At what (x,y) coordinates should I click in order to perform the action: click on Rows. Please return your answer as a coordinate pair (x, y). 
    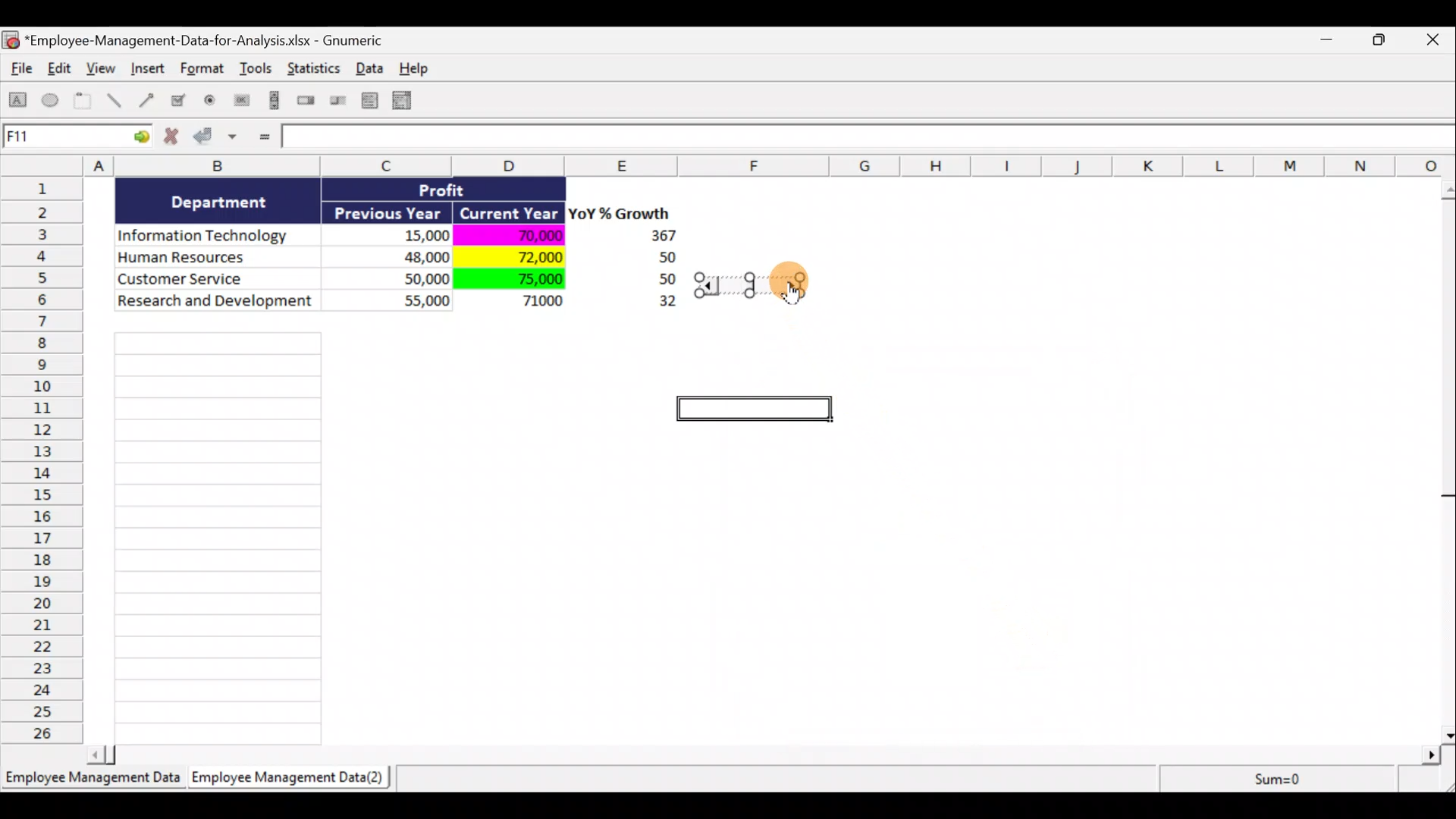
    Looking at the image, I should click on (46, 459).